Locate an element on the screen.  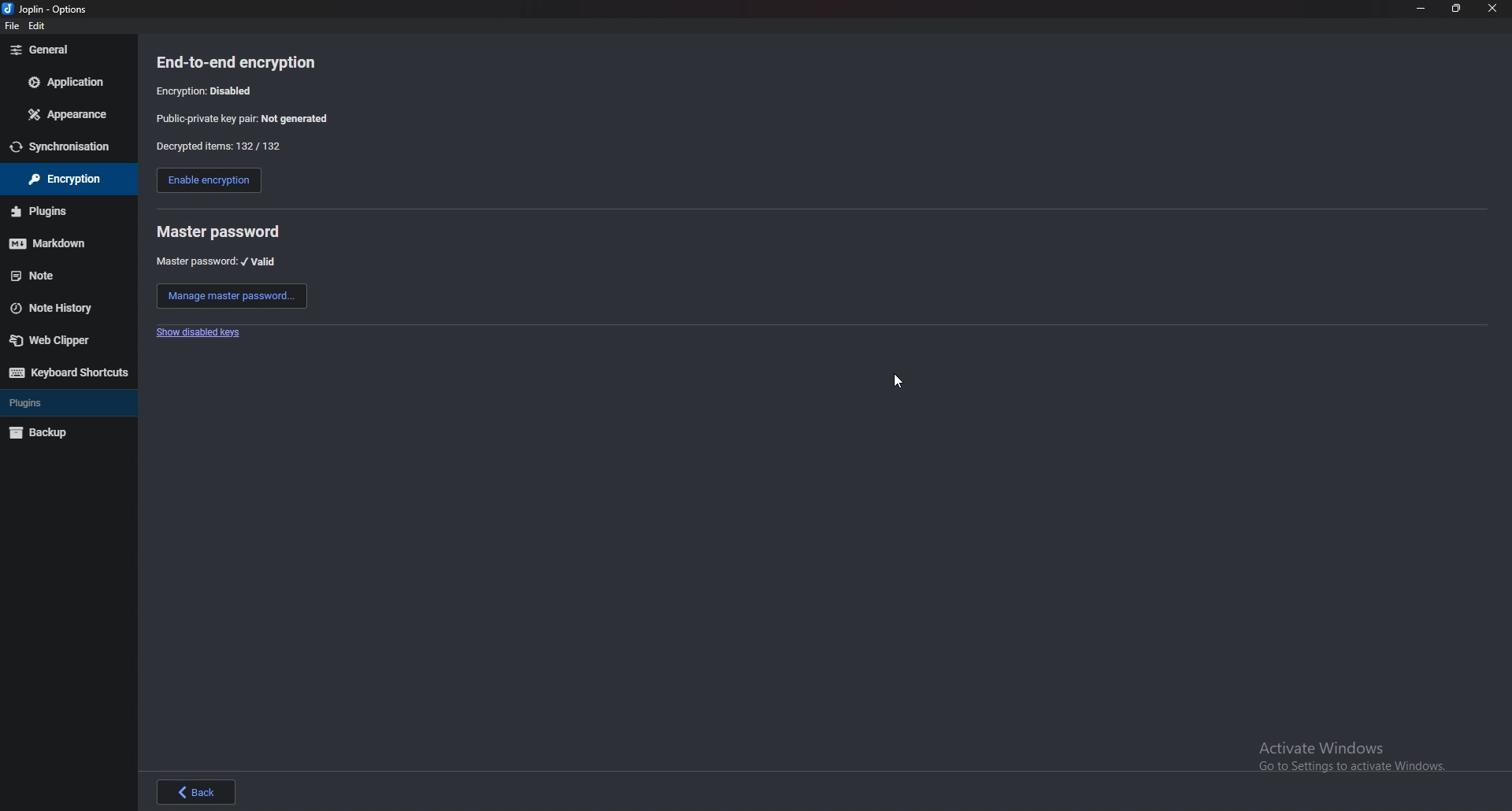
back is located at coordinates (197, 791).